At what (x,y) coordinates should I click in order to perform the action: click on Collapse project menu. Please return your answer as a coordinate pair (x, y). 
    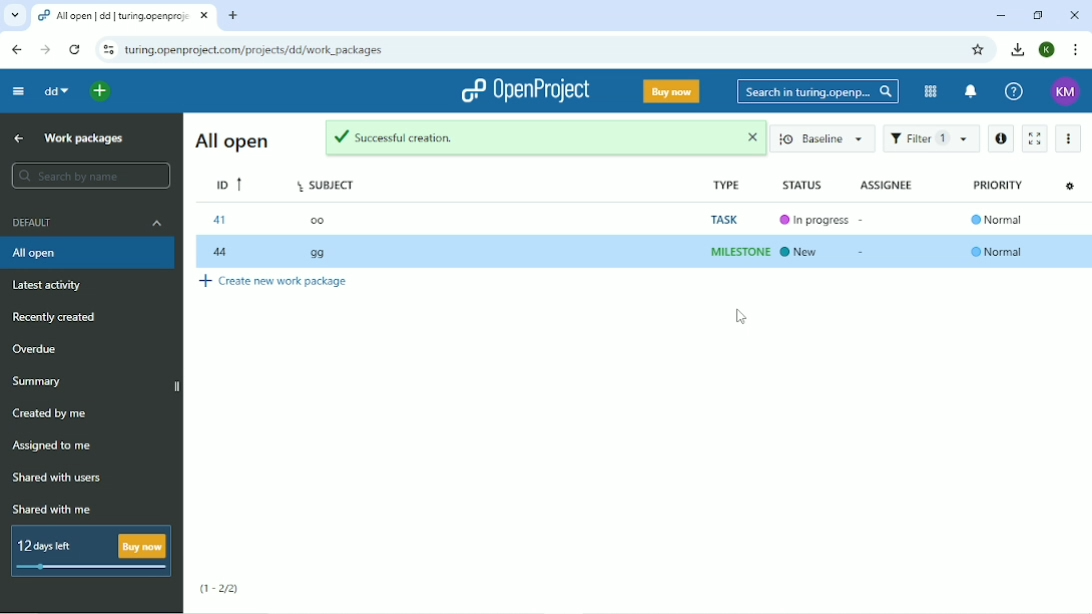
    Looking at the image, I should click on (19, 92).